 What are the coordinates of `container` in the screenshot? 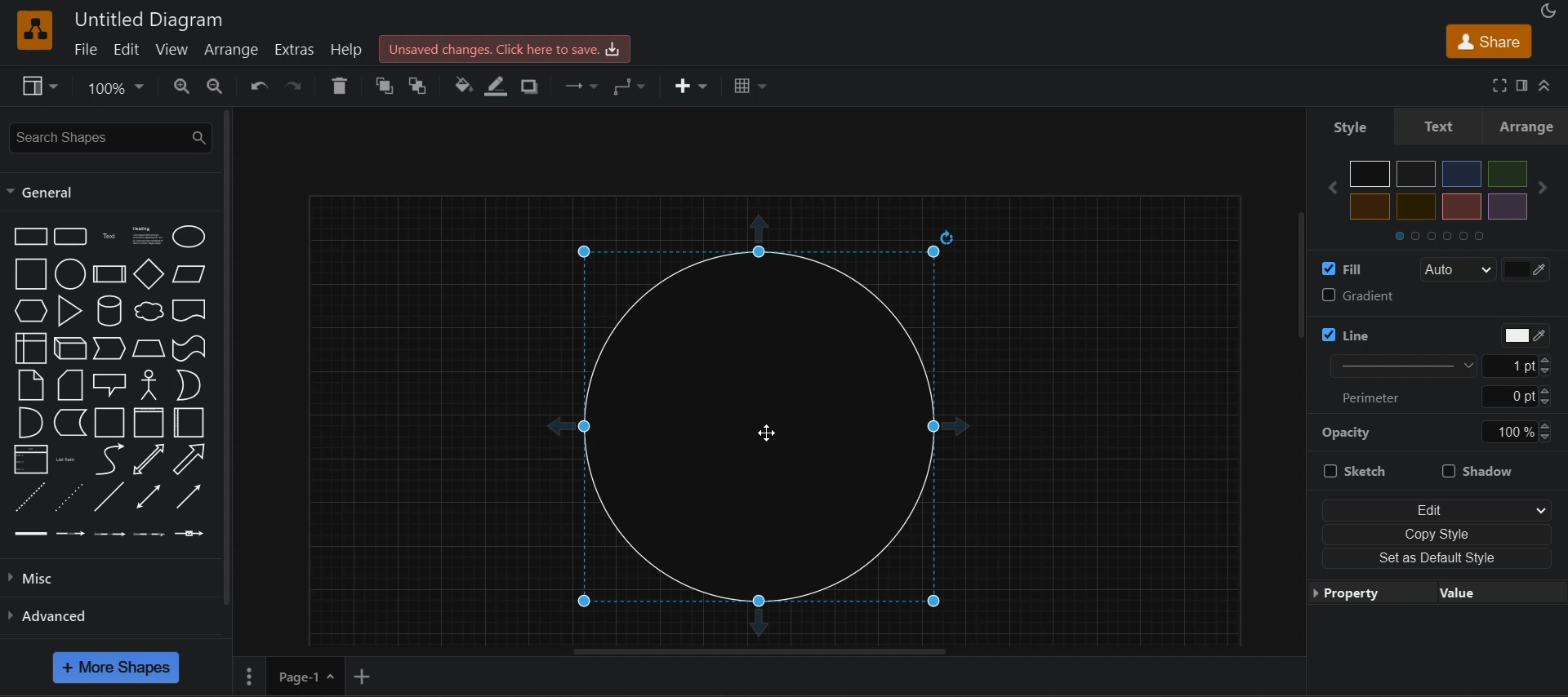 It's located at (111, 422).